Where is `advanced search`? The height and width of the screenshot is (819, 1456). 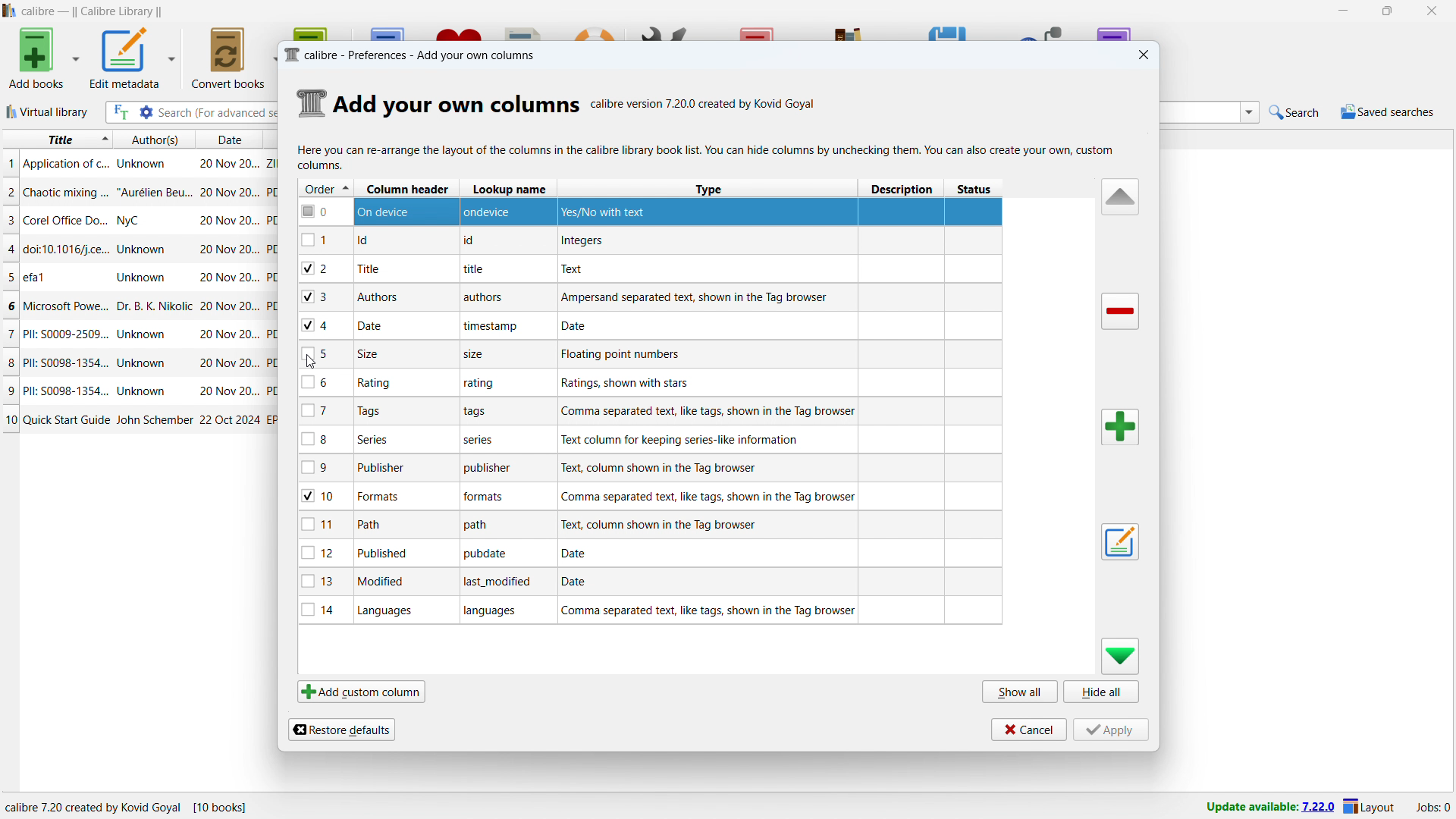
advanced search is located at coordinates (146, 112).